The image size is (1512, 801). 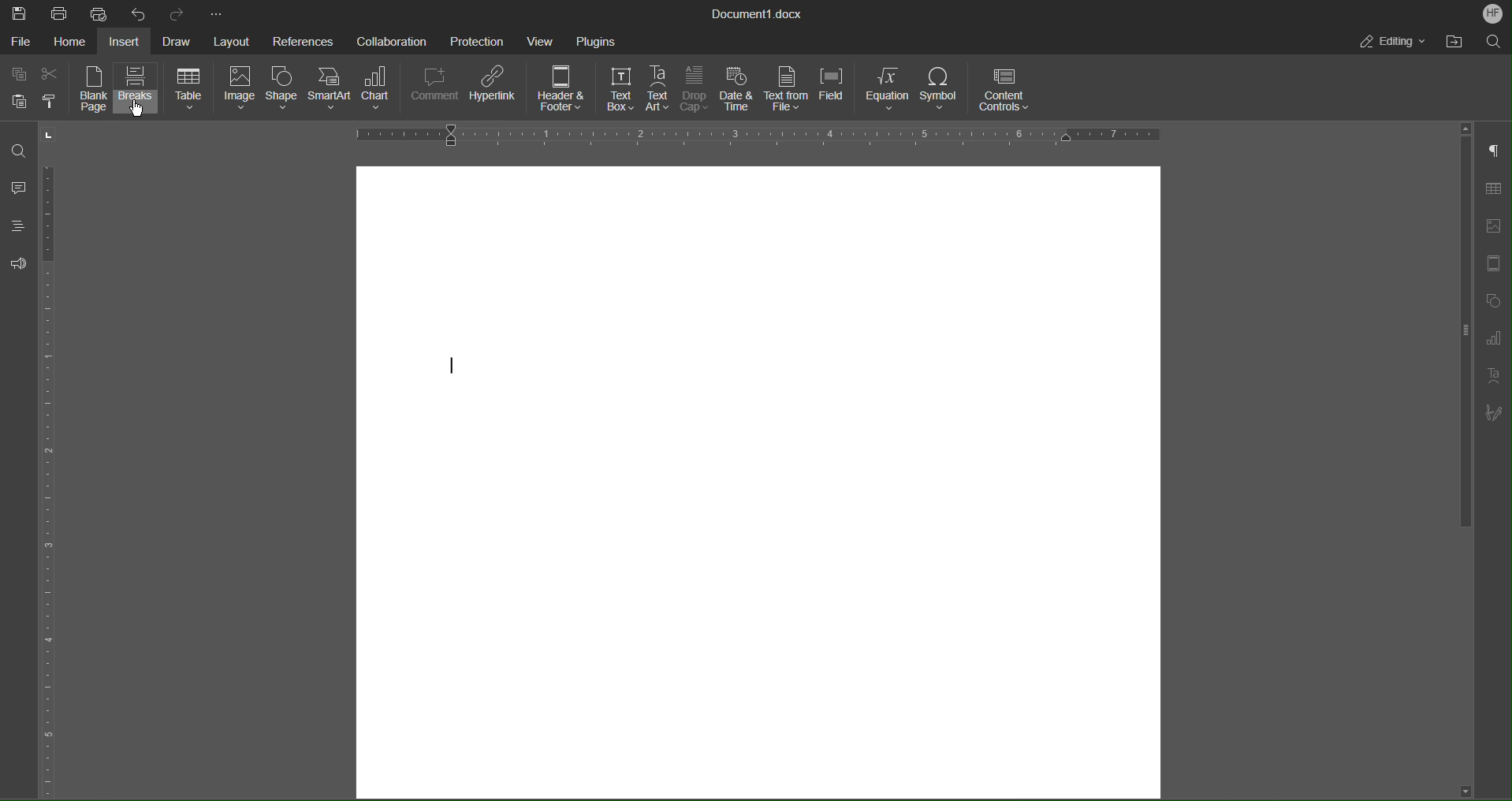 What do you see at coordinates (99, 13) in the screenshot?
I see `Quick Print` at bounding box center [99, 13].